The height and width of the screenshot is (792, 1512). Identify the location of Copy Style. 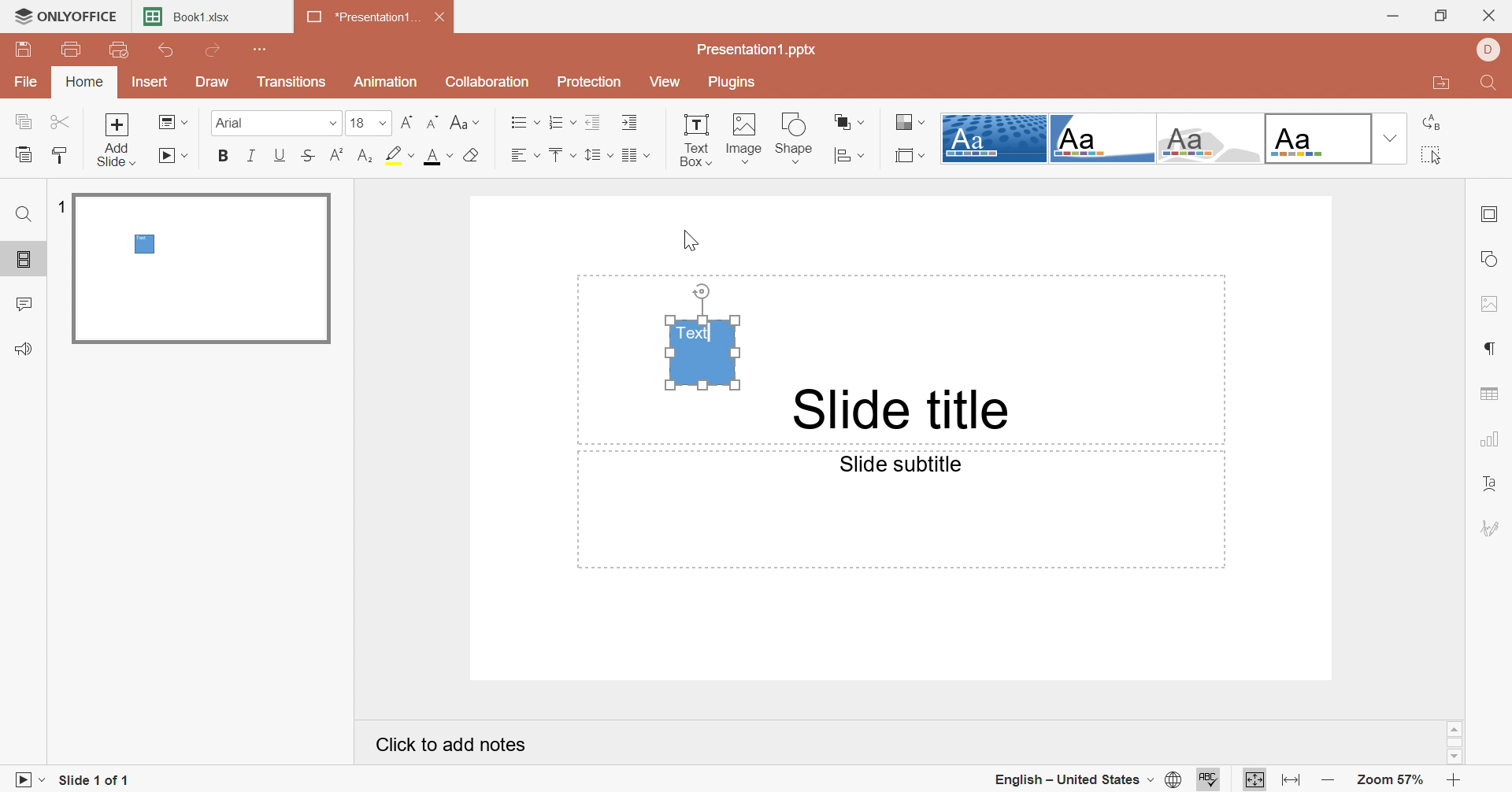
(60, 154).